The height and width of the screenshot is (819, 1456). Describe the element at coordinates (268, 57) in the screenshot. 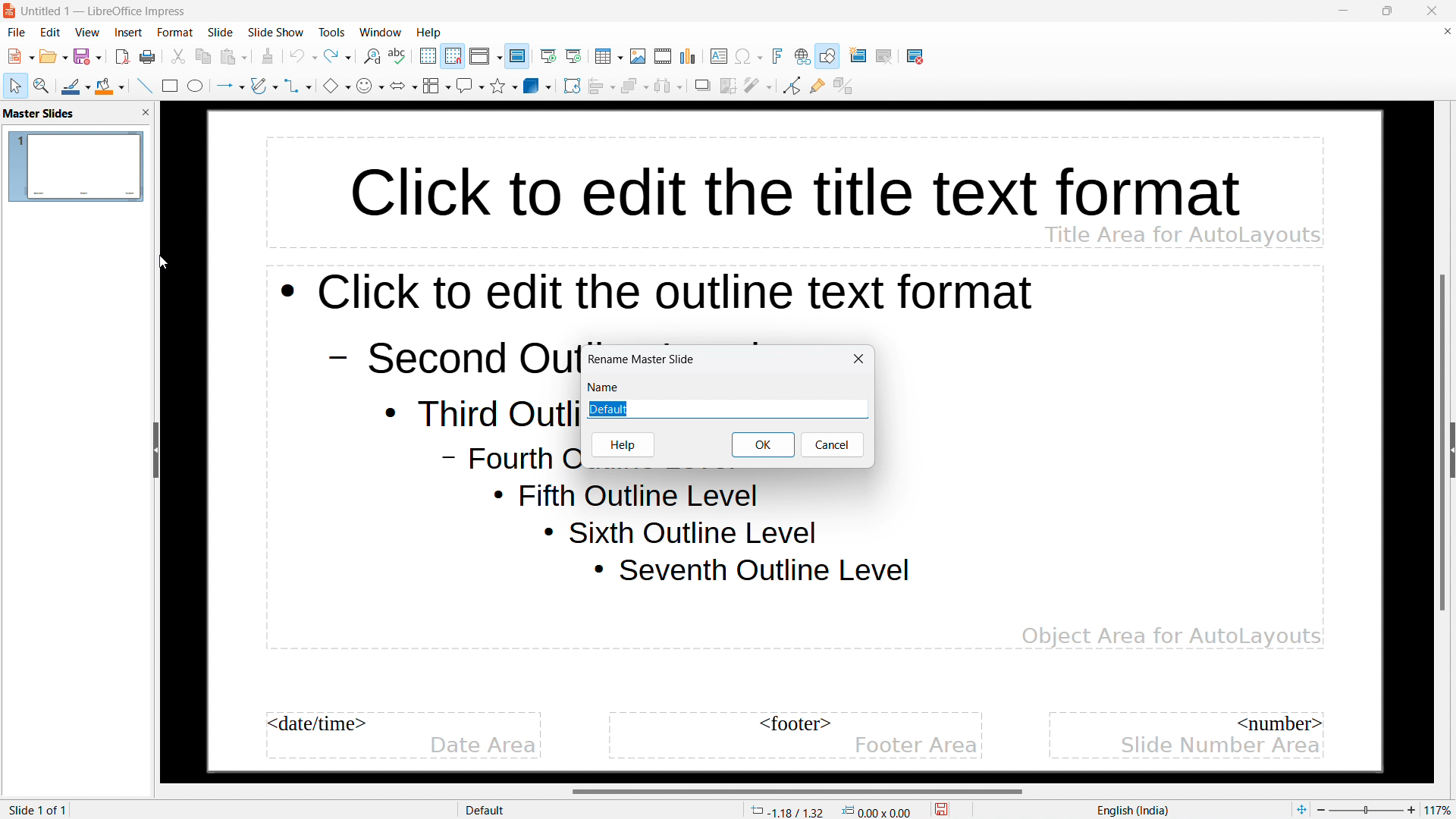

I see `clone formatting` at that location.